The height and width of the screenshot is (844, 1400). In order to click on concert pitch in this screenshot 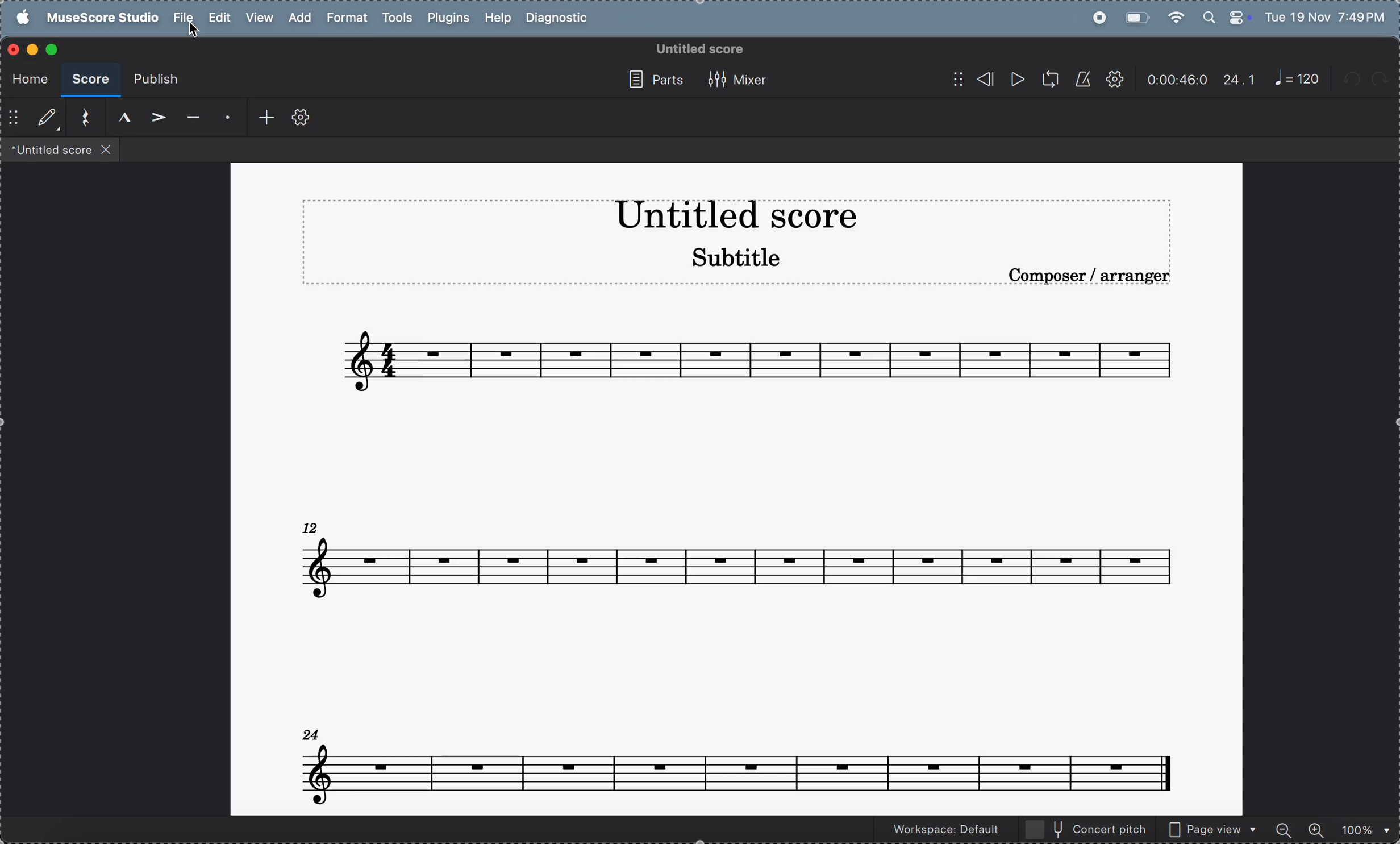, I will do `click(1087, 829)`.